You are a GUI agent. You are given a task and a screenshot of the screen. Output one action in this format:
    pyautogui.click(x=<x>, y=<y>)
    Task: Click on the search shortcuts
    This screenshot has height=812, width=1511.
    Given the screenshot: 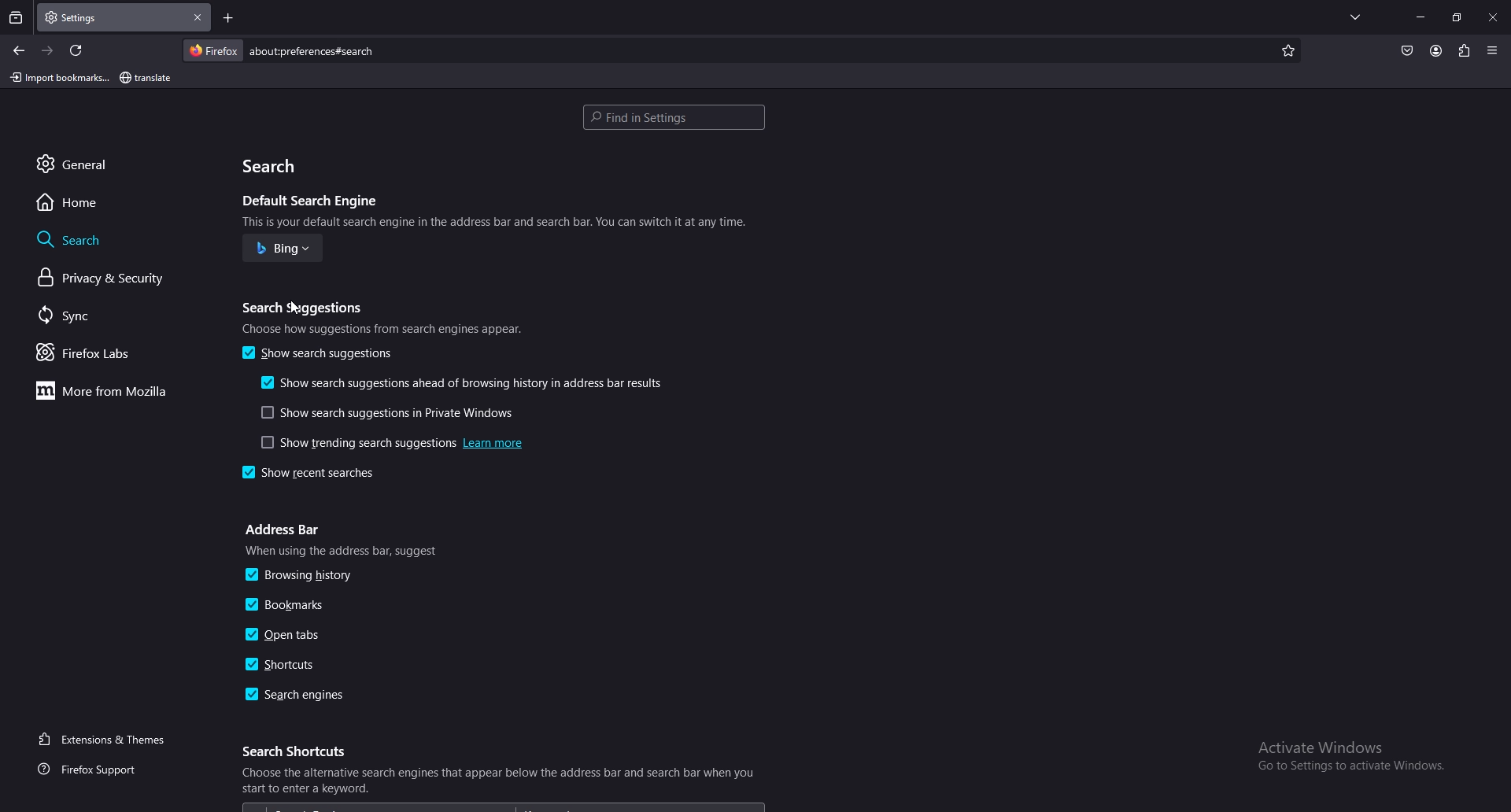 What is the action you would take?
    pyautogui.click(x=300, y=751)
    